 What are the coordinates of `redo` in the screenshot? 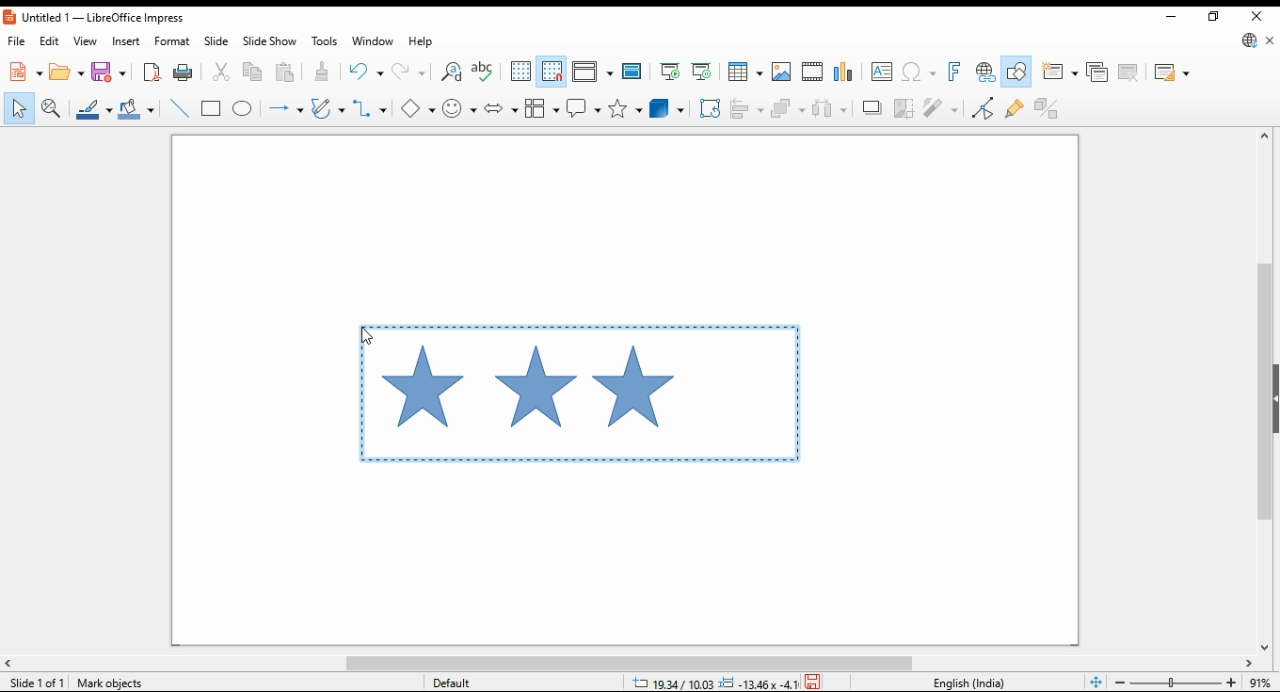 It's located at (410, 70).